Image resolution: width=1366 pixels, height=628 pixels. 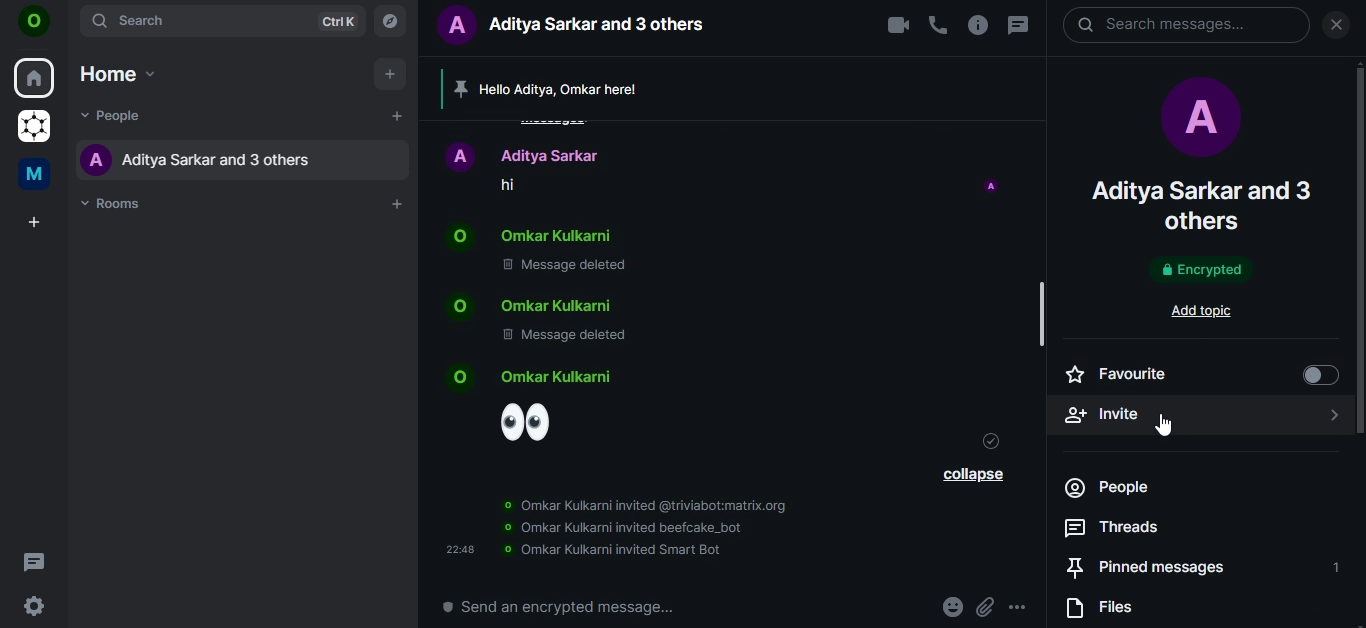 What do you see at coordinates (393, 20) in the screenshot?
I see `explore room` at bounding box center [393, 20].